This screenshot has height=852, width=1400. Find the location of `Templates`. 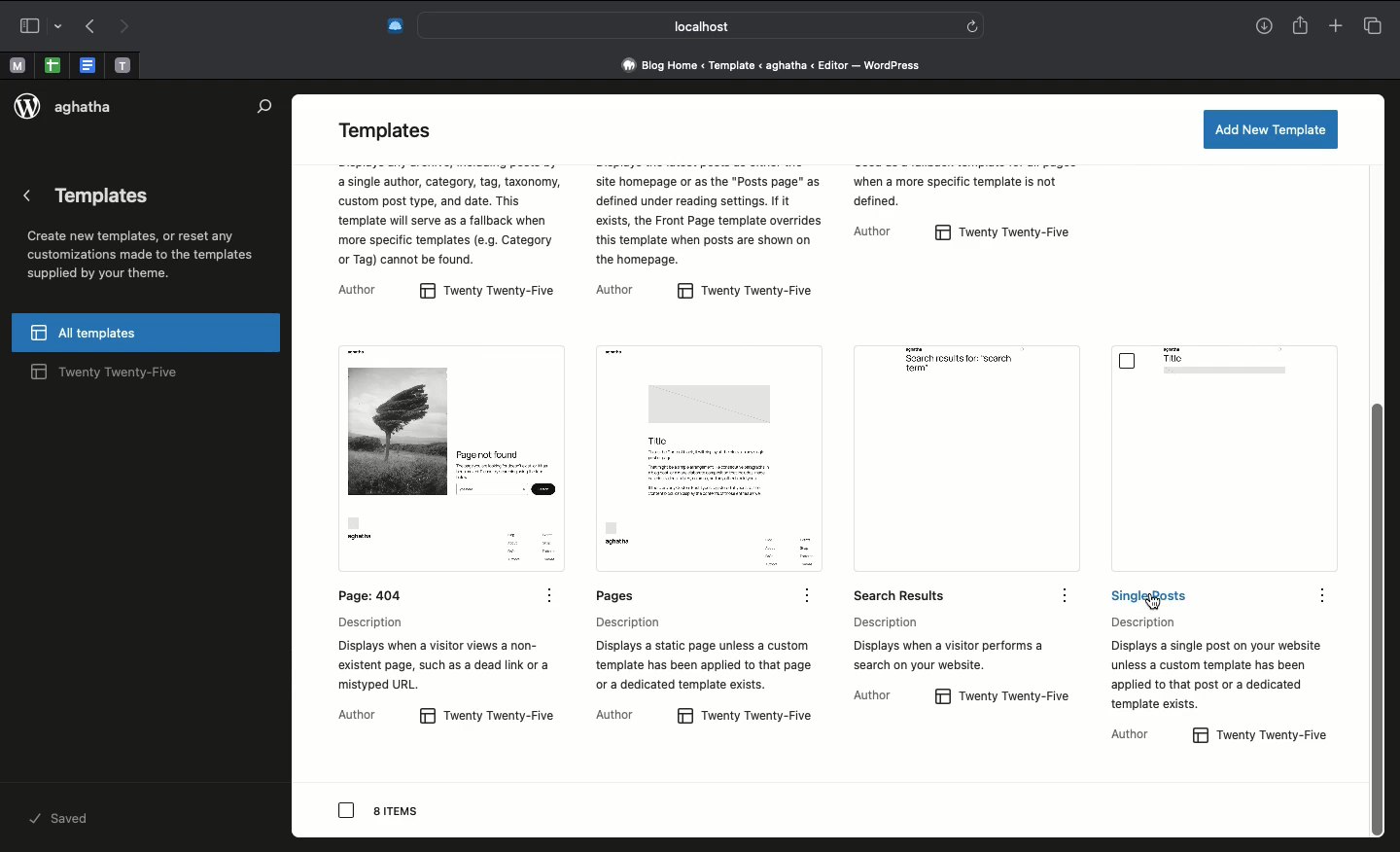

Templates is located at coordinates (393, 133).